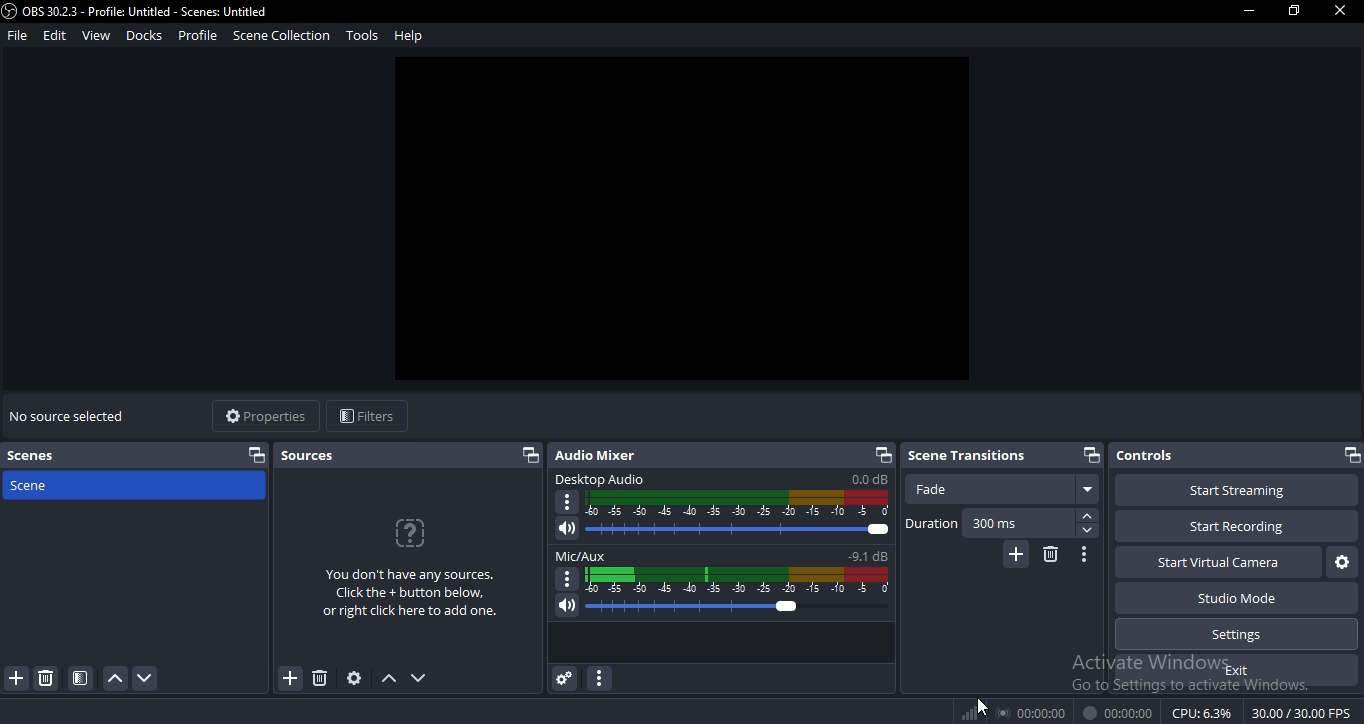 The width and height of the screenshot is (1364, 724). What do you see at coordinates (410, 35) in the screenshot?
I see `help` at bounding box center [410, 35].